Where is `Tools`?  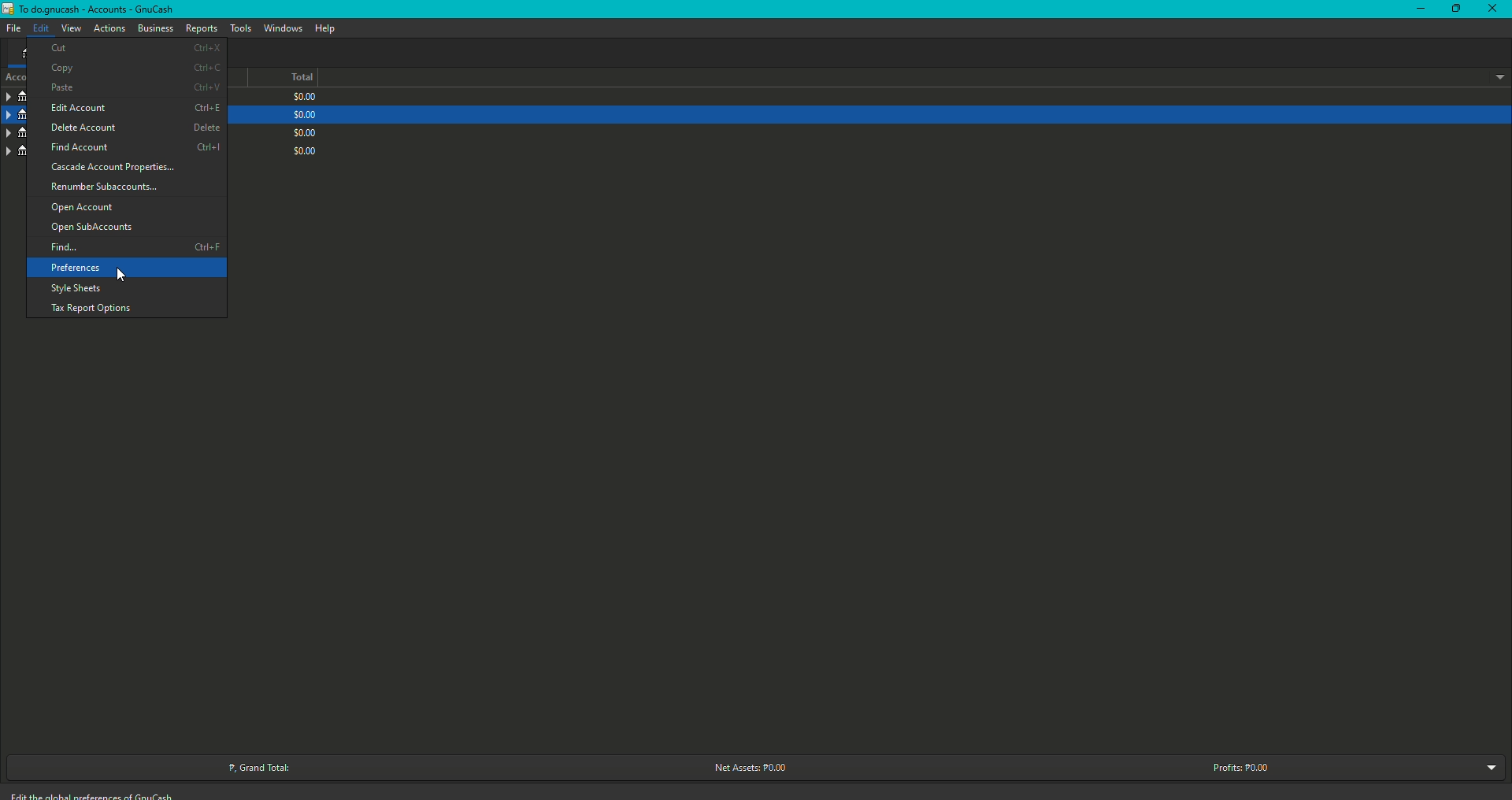 Tools is located at coordinates (240, 28).